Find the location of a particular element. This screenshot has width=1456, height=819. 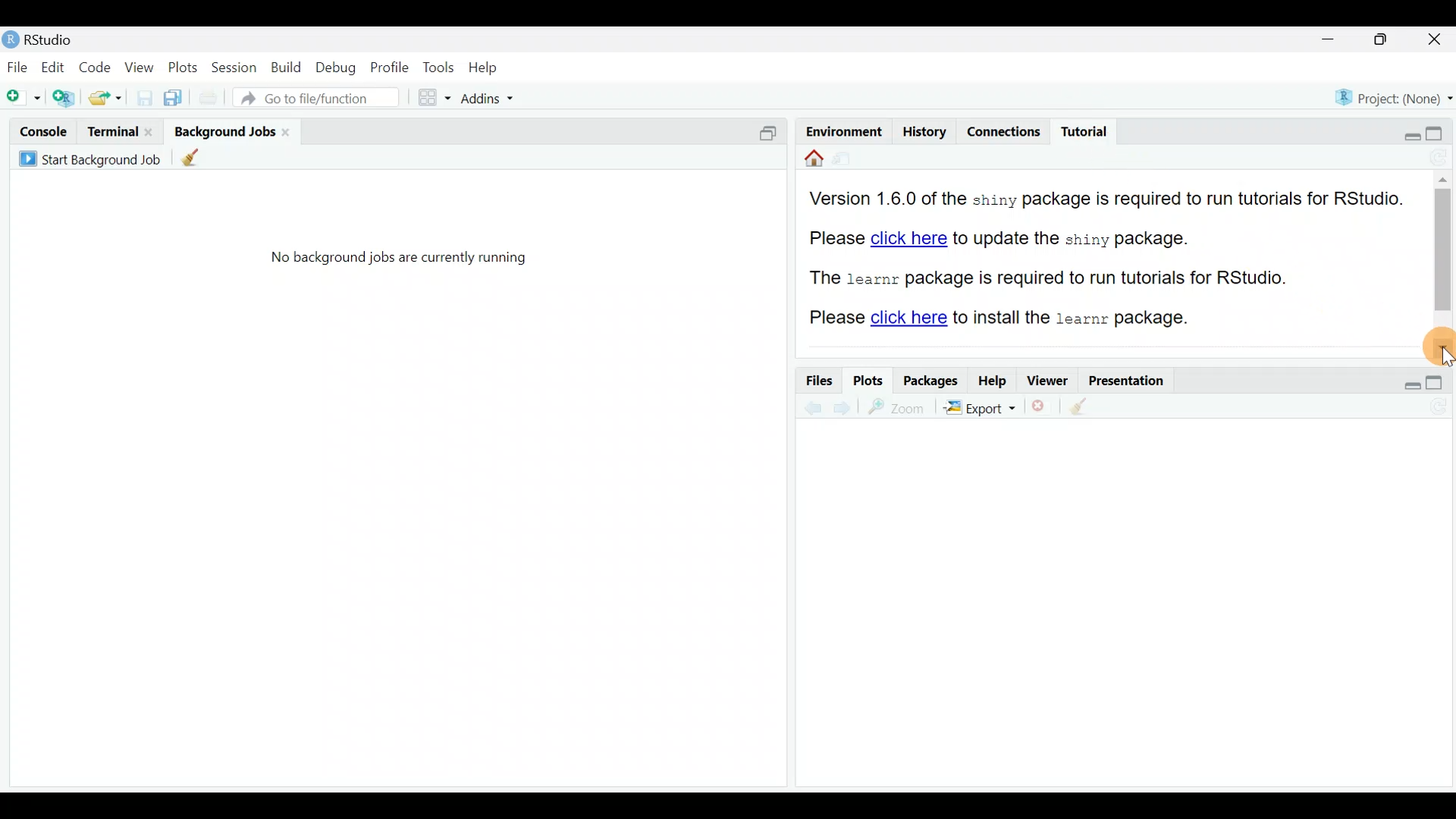

Connections is located at coordinates (1009, 130).